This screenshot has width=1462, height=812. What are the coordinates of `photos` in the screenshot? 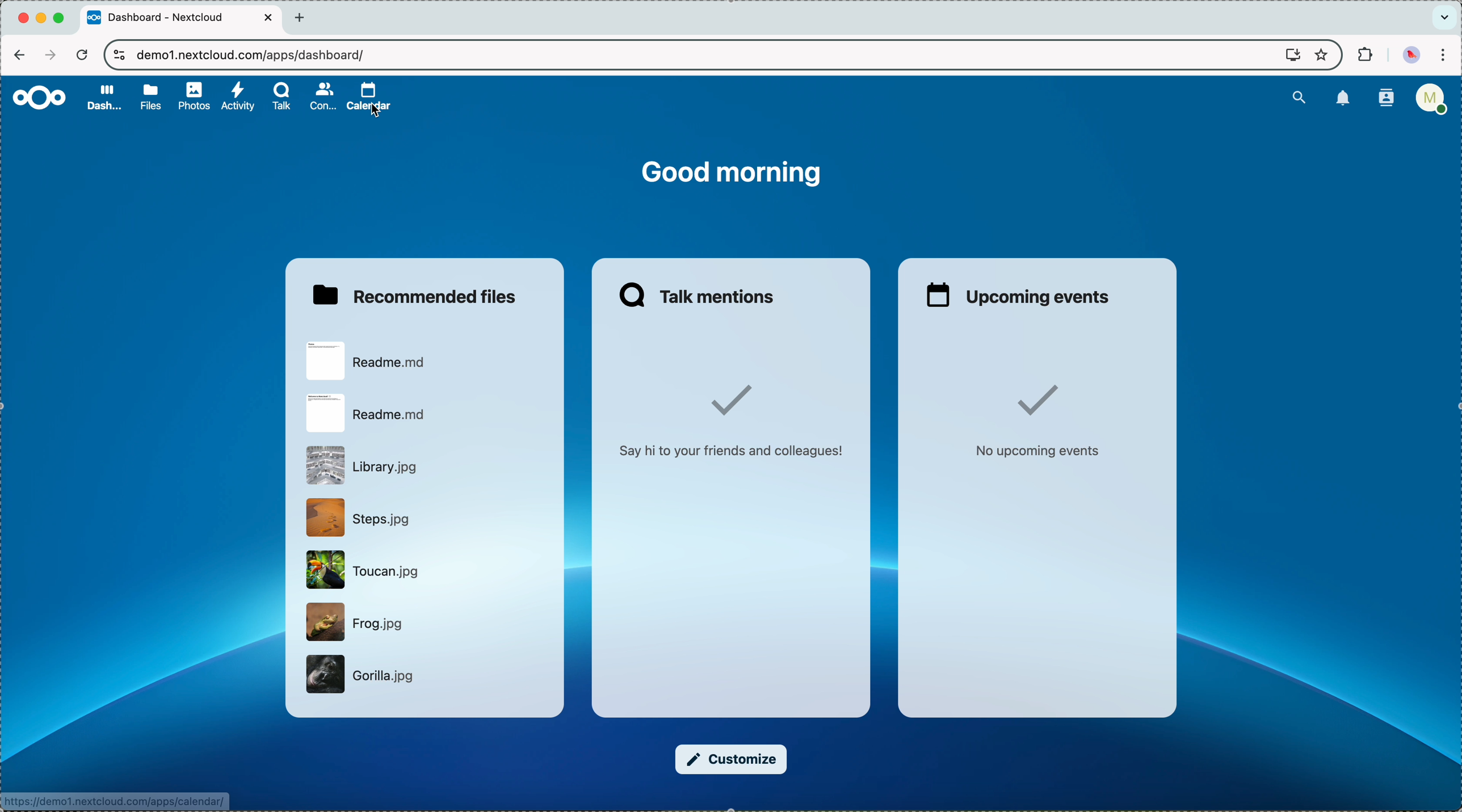 It's located at (194, 94).